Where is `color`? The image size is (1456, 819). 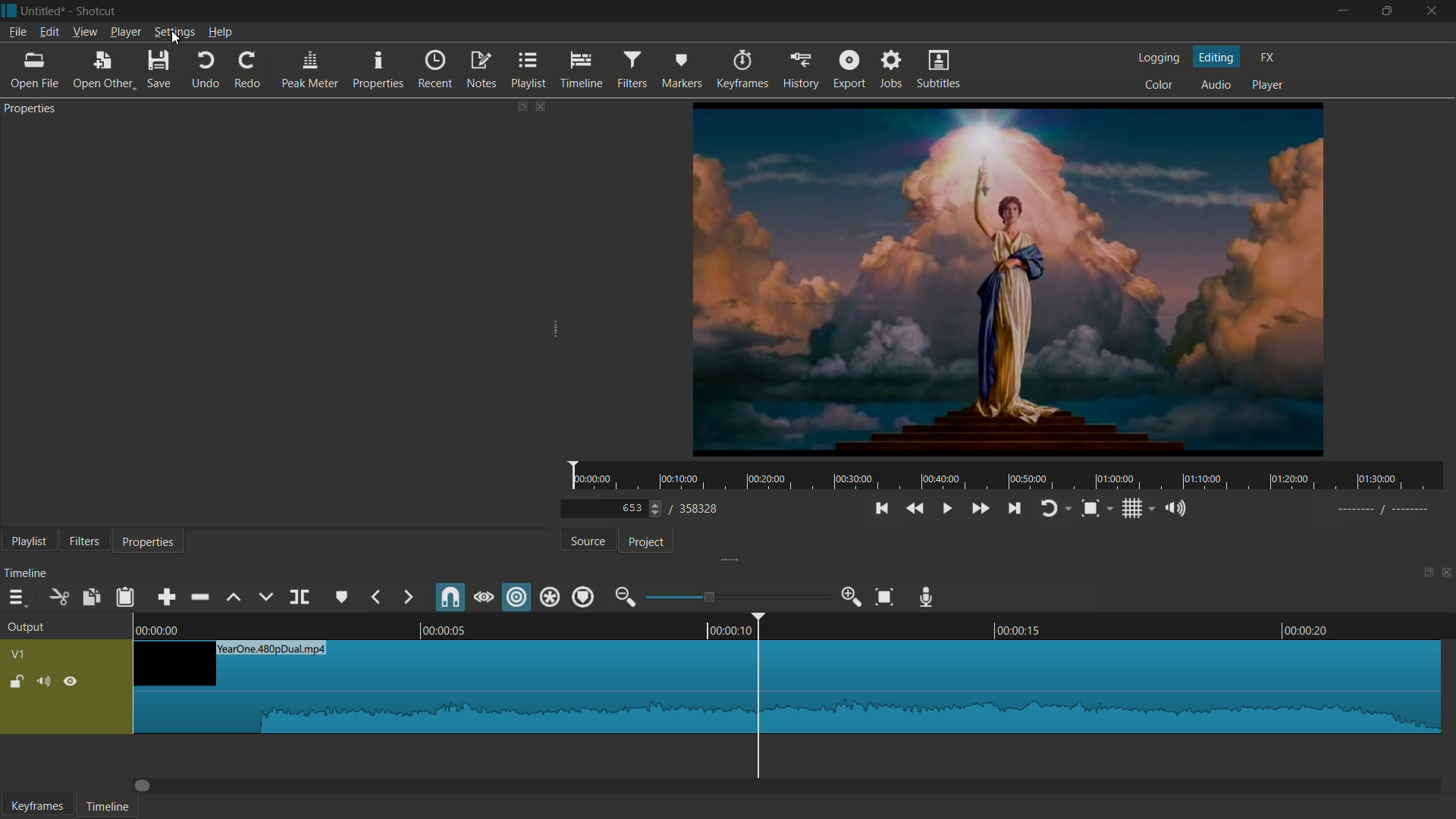 color is located at coordinates (1156, 83).